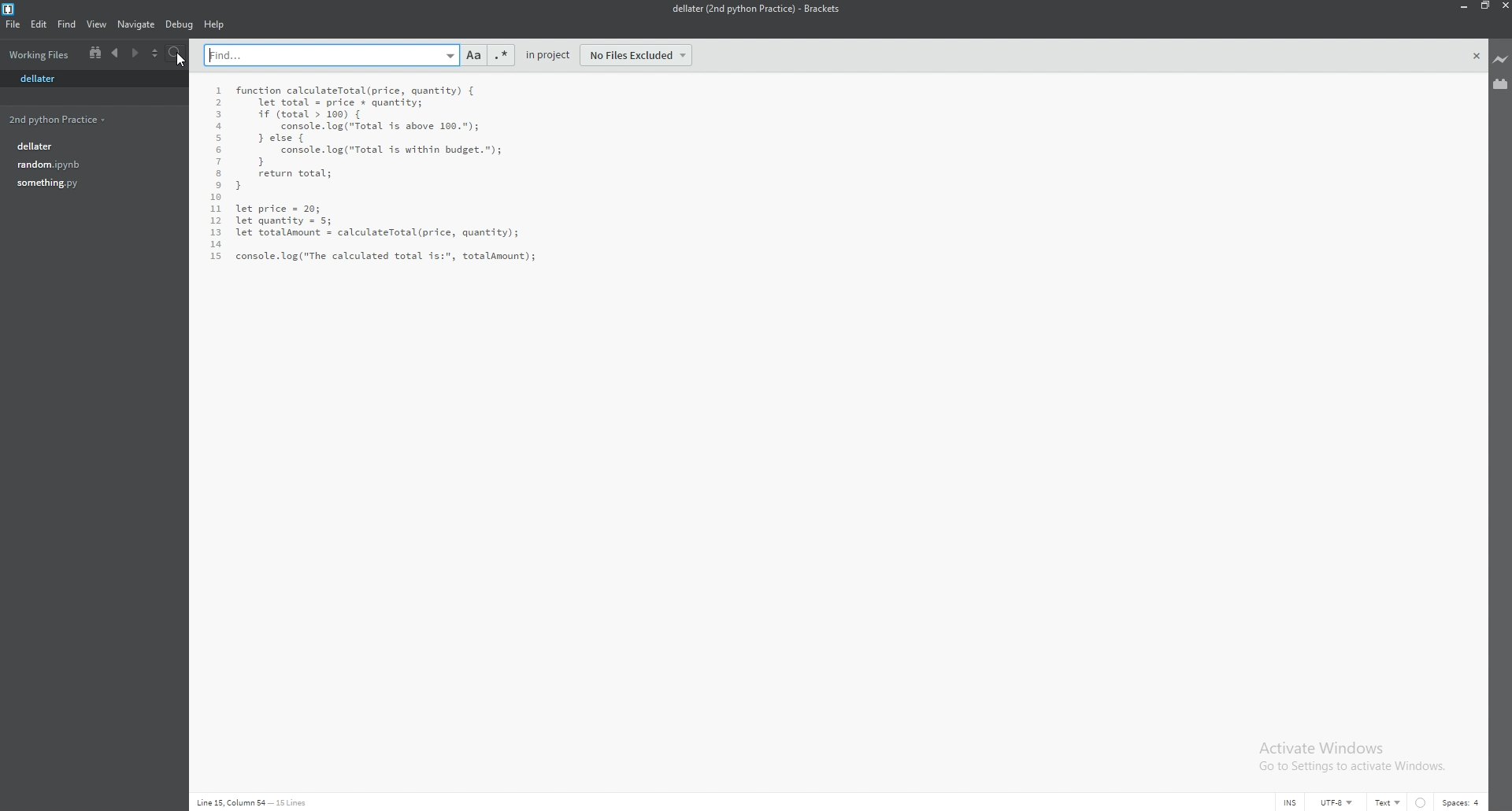  What do you see at coordinates (1462, 6) in the screenshot?
I see `minimize` at bounding box center [1462, 6].